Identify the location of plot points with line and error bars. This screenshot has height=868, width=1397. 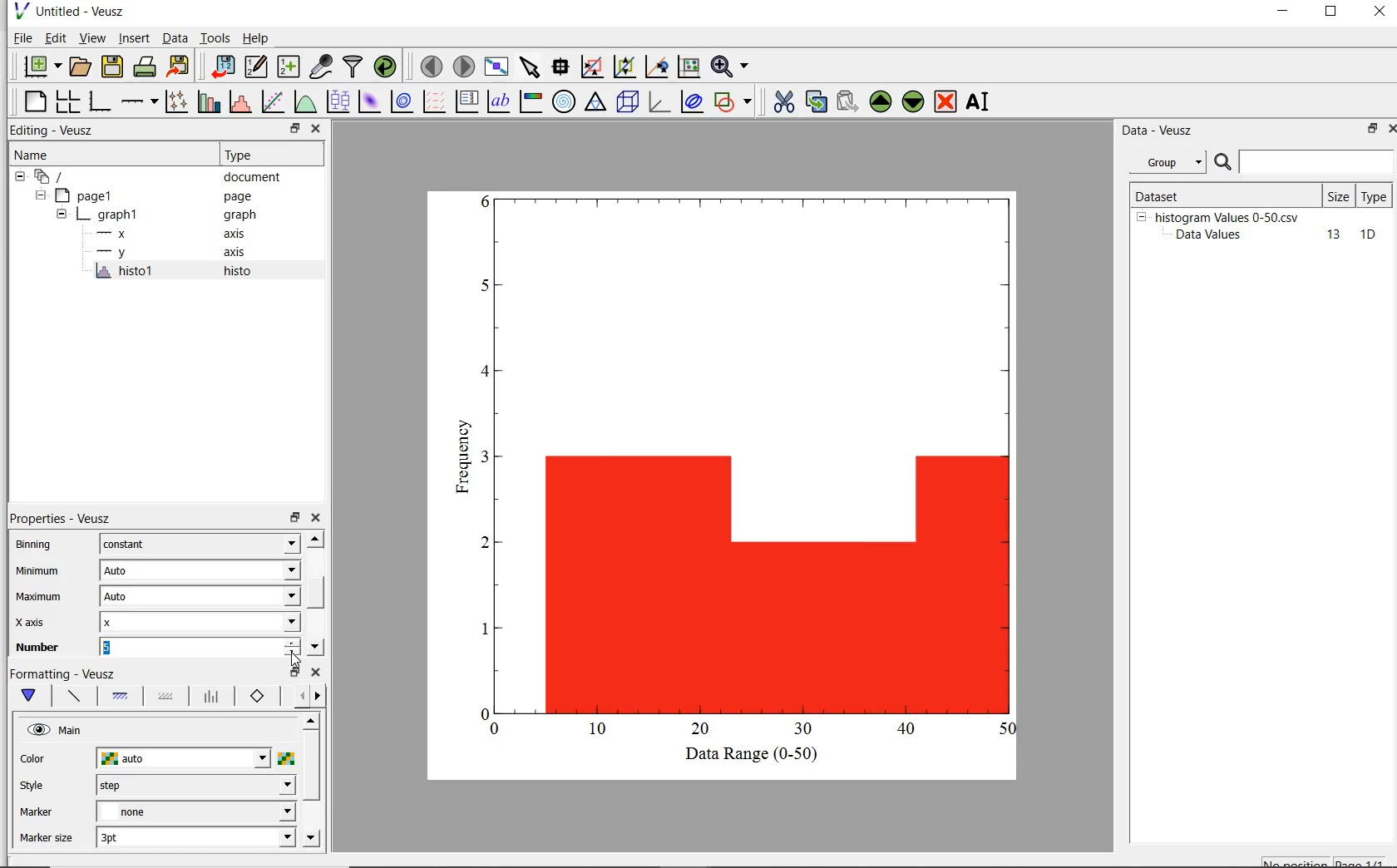
(177, 101).